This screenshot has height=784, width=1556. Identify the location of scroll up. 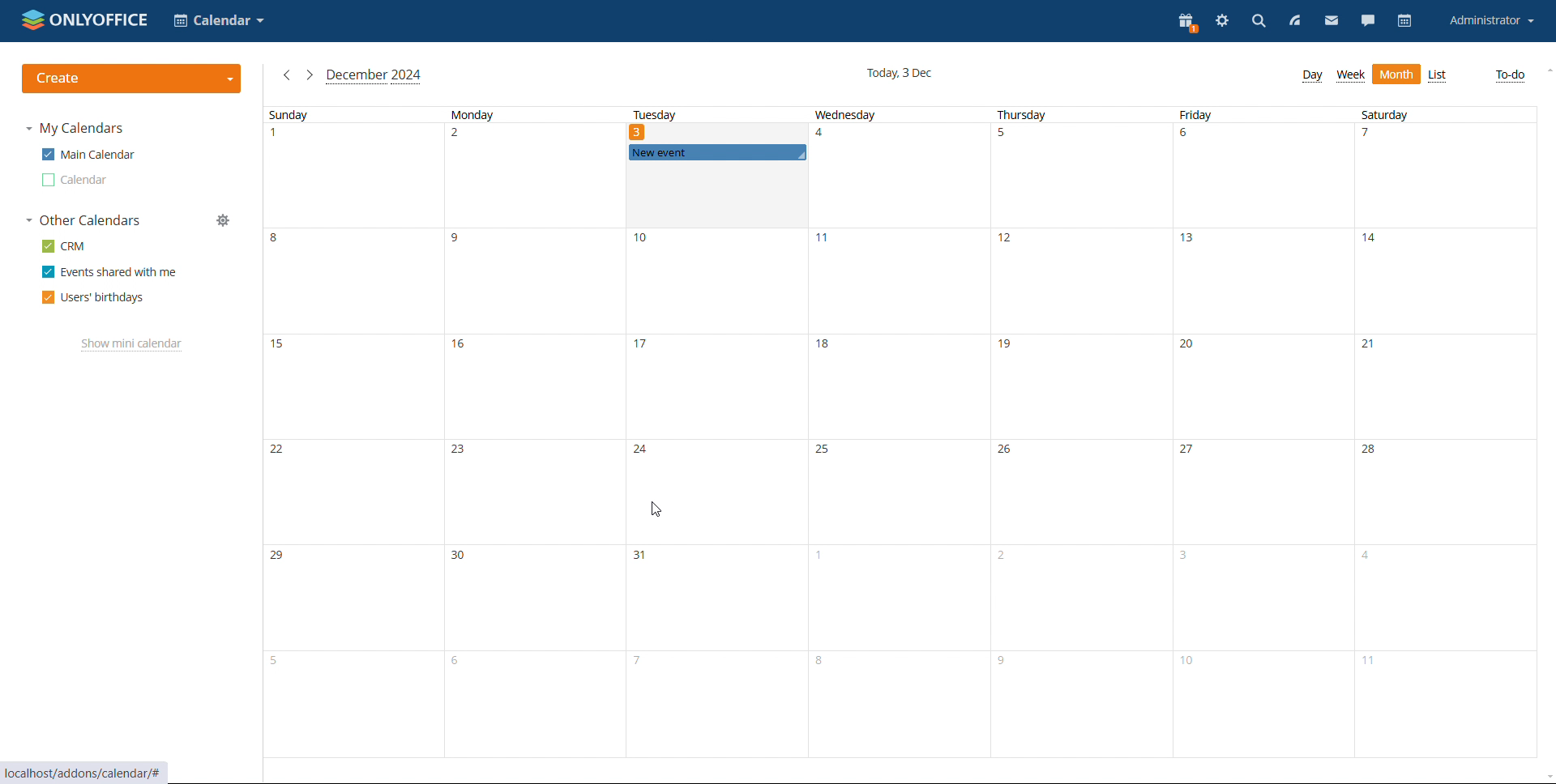
(1546, 69).